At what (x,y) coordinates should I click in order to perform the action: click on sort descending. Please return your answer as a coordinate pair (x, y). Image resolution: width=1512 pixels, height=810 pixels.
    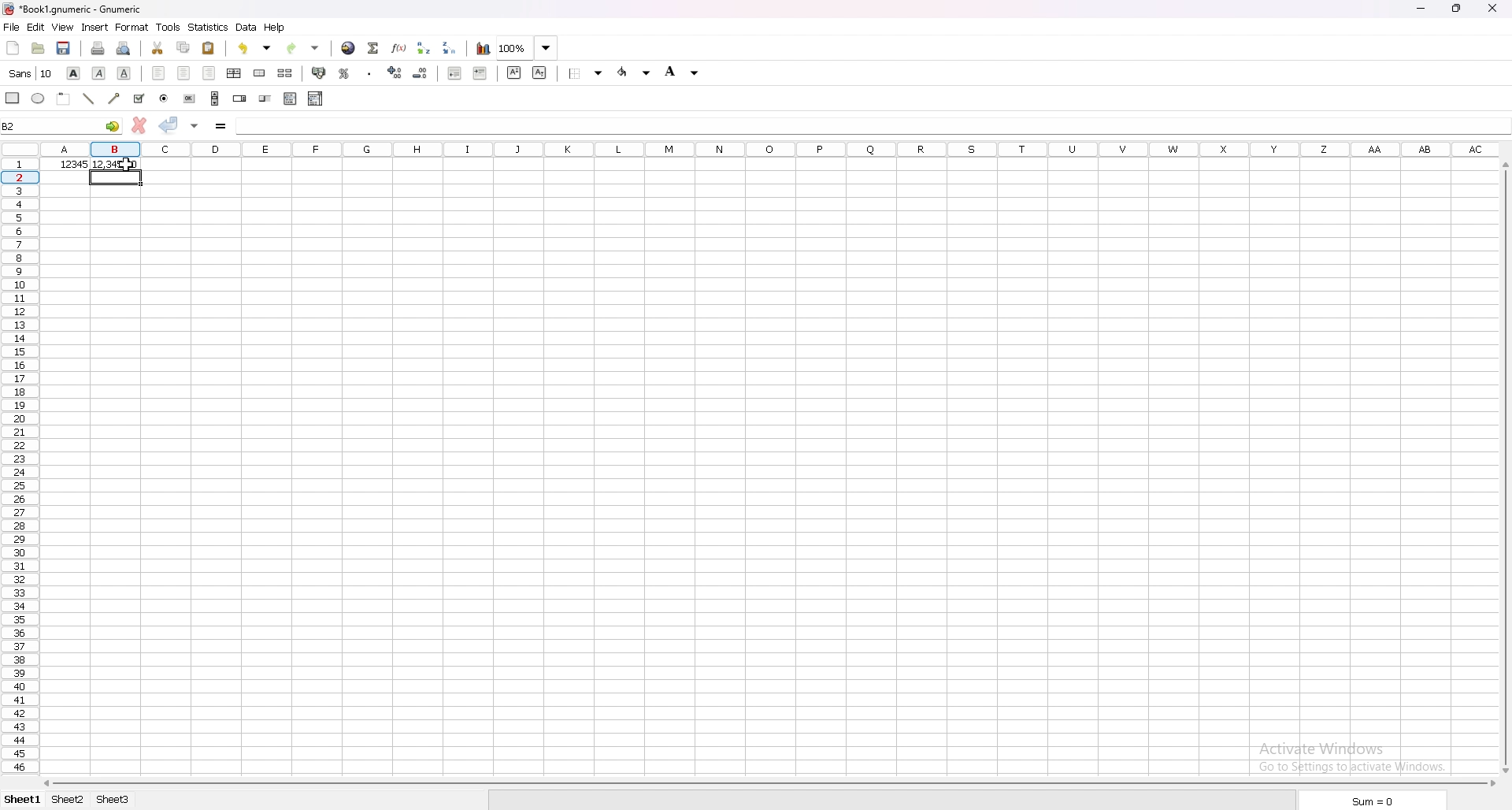
    Looking at the image, I should click on (450, 48).